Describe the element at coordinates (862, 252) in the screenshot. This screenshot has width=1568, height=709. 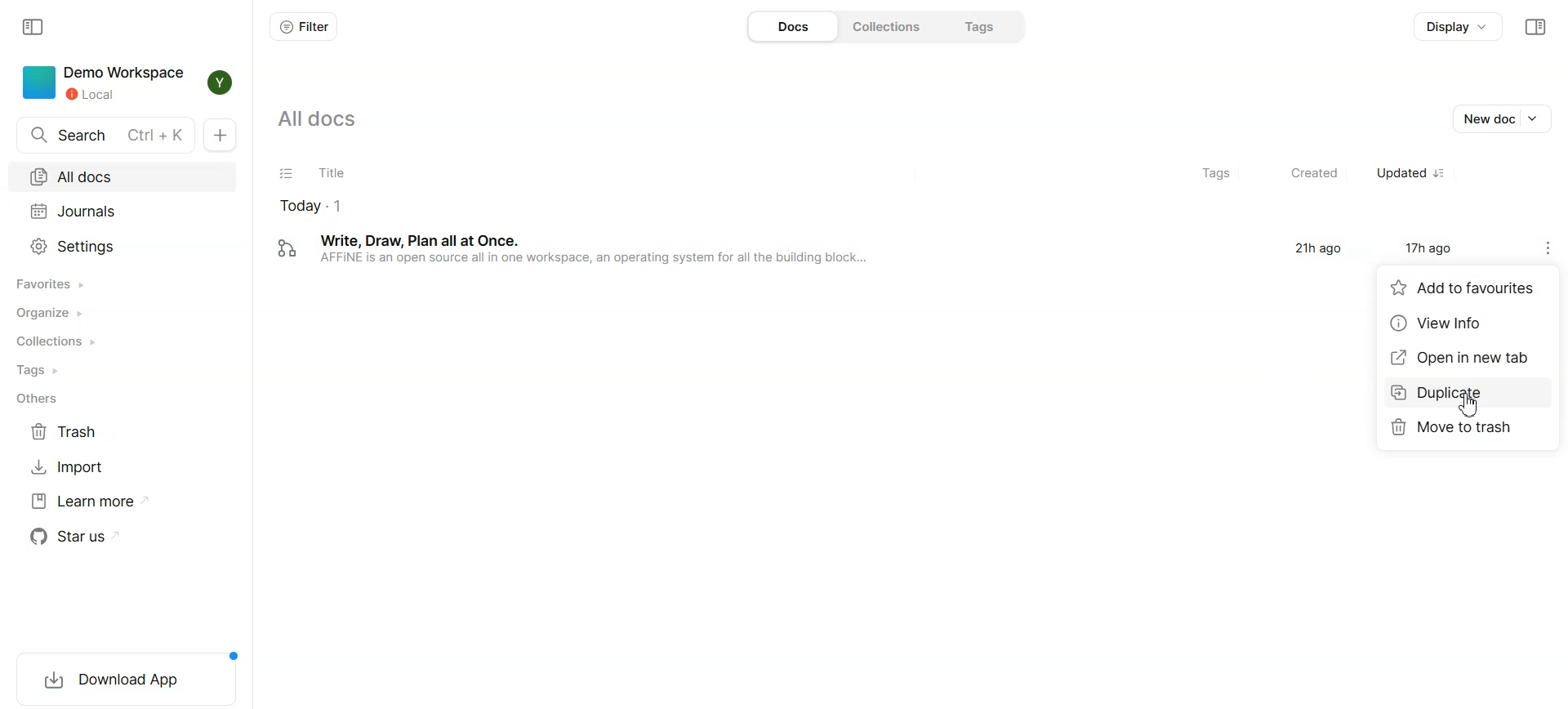
I see `‘Write, Draw, Plan all at Once. 21h ago 17h ago
AFFINE is an open source all in one workspace, an operating system for all the building block` at that location.